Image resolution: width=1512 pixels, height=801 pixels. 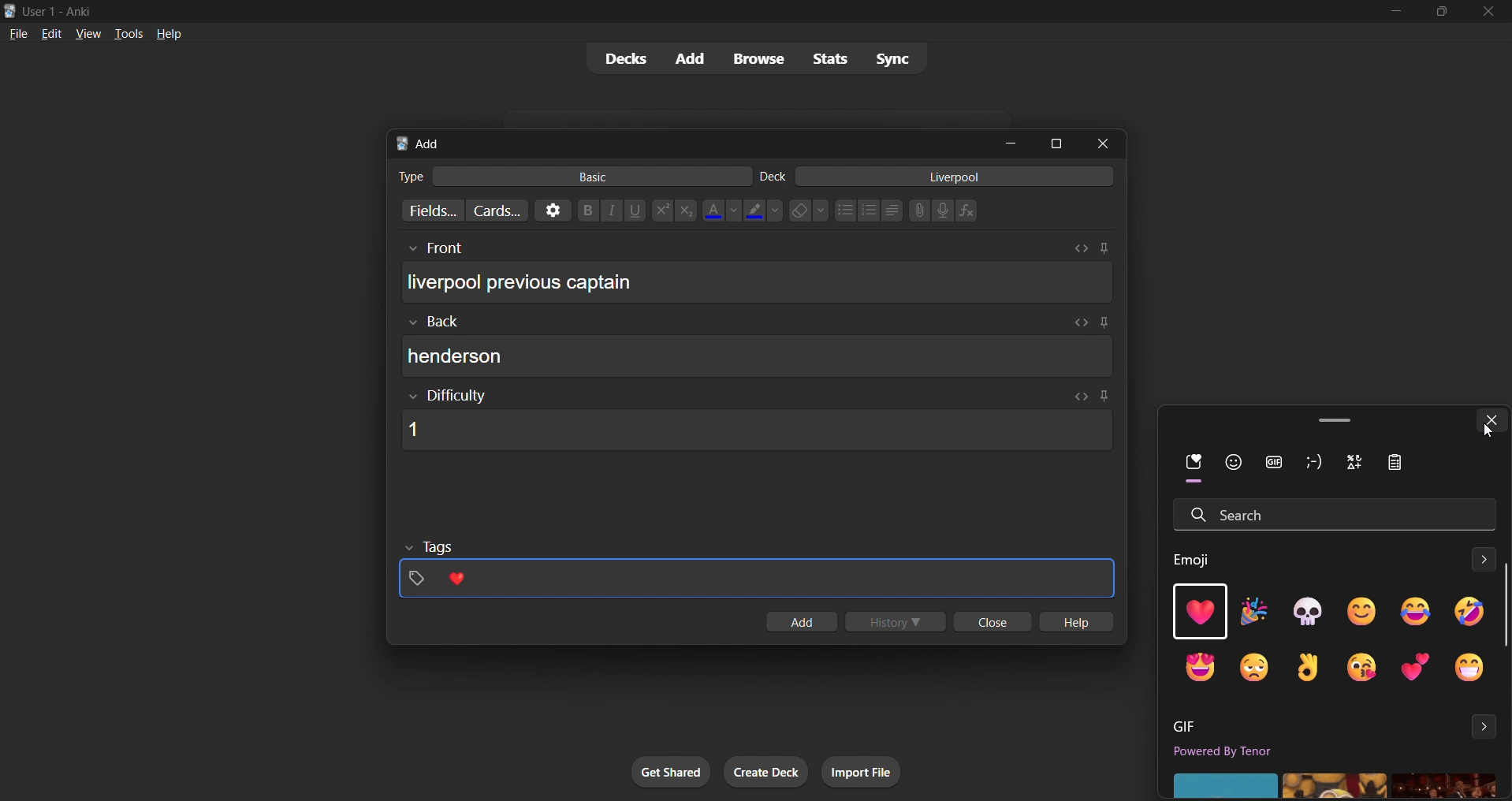 I want to click on hlep, so click(x=1078, y=623).